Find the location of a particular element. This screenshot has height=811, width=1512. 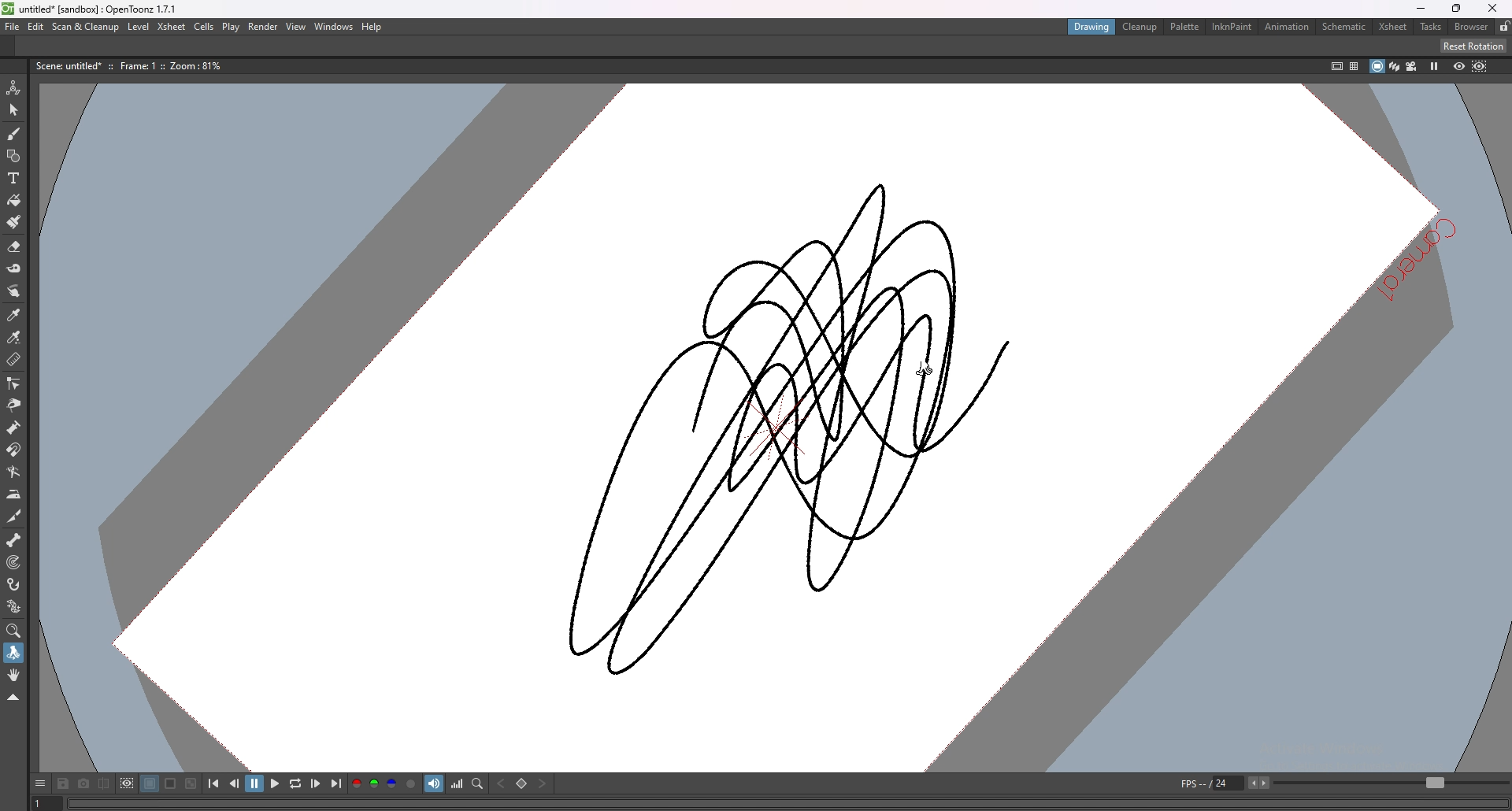

description is located at coordinates (131, 66).